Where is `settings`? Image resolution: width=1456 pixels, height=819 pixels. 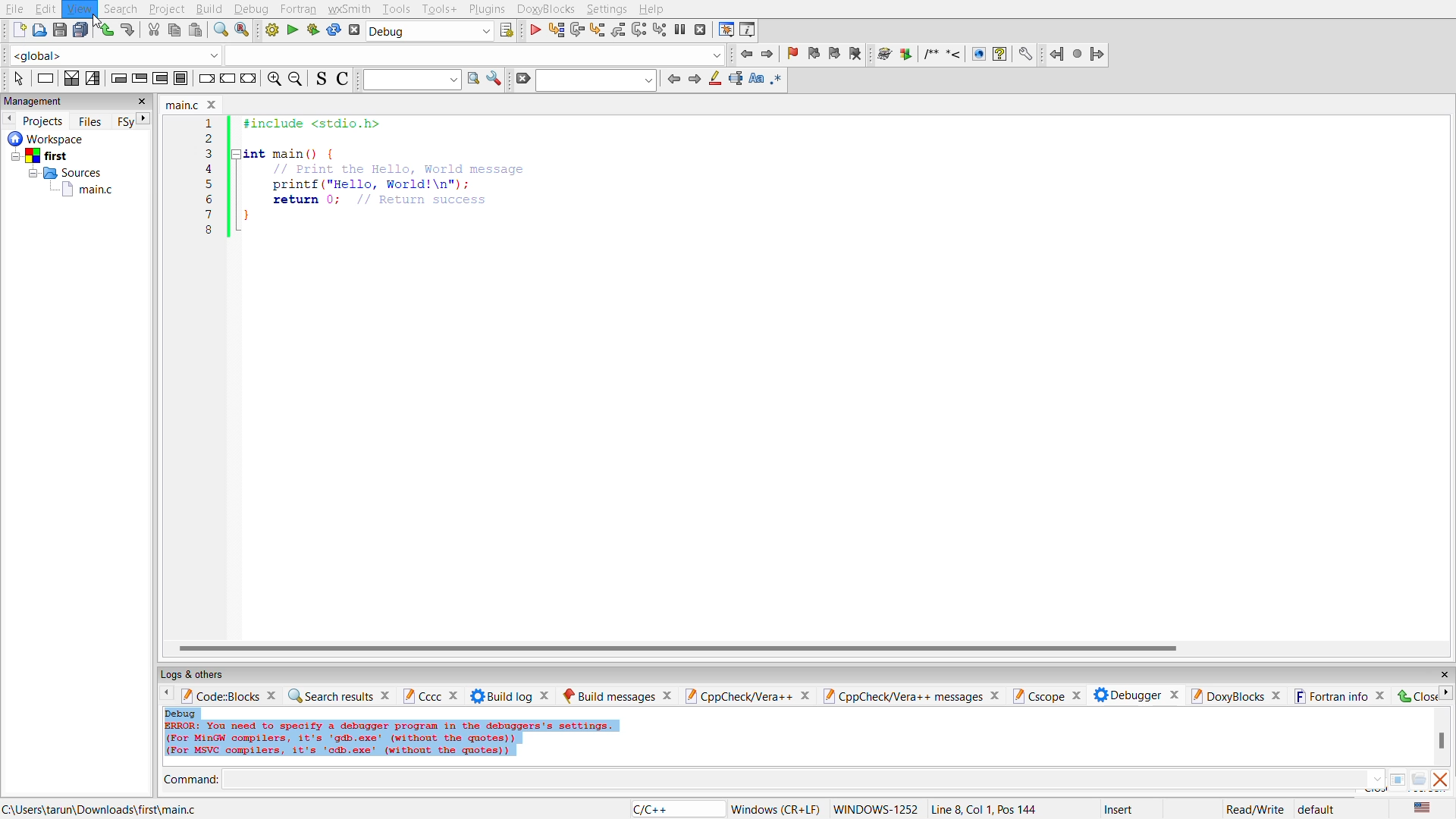 settings is located at coordinates (609, 9).